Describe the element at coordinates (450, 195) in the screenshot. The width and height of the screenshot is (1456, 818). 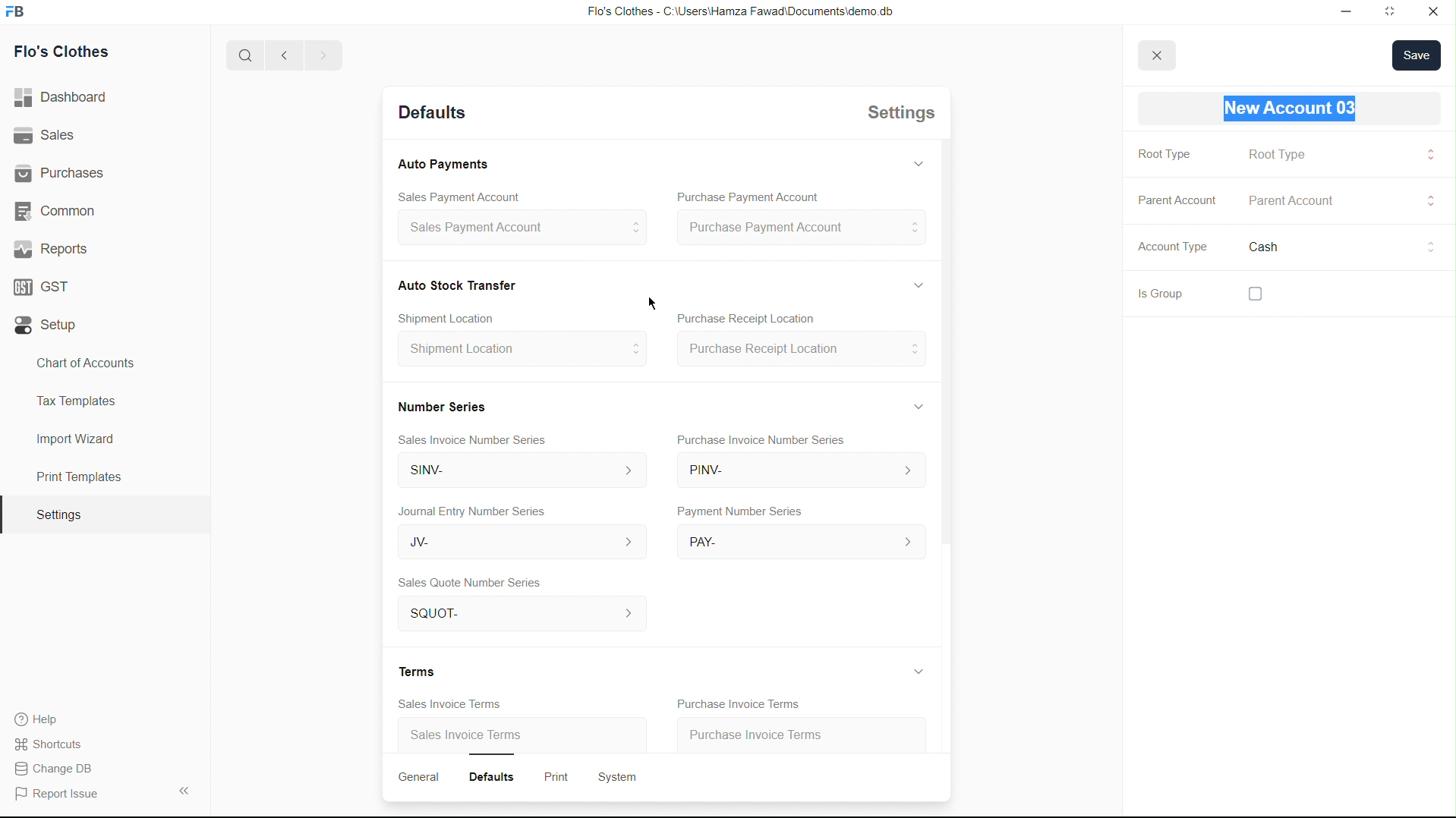
I see `Sales Payment Account` at that location.